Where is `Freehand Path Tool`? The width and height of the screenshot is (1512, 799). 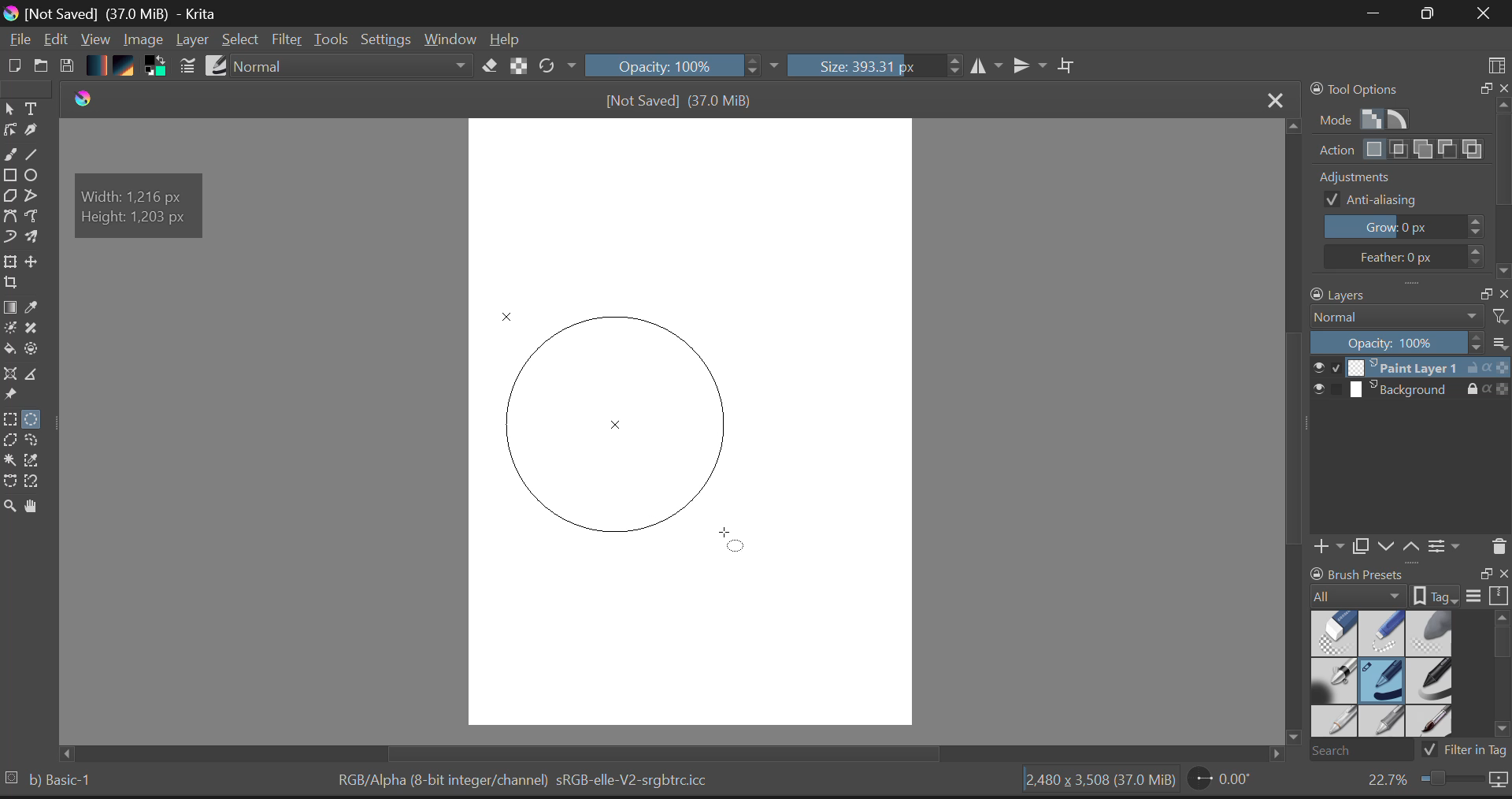 Freehand Path Tool is located at coordinates (36, 217).